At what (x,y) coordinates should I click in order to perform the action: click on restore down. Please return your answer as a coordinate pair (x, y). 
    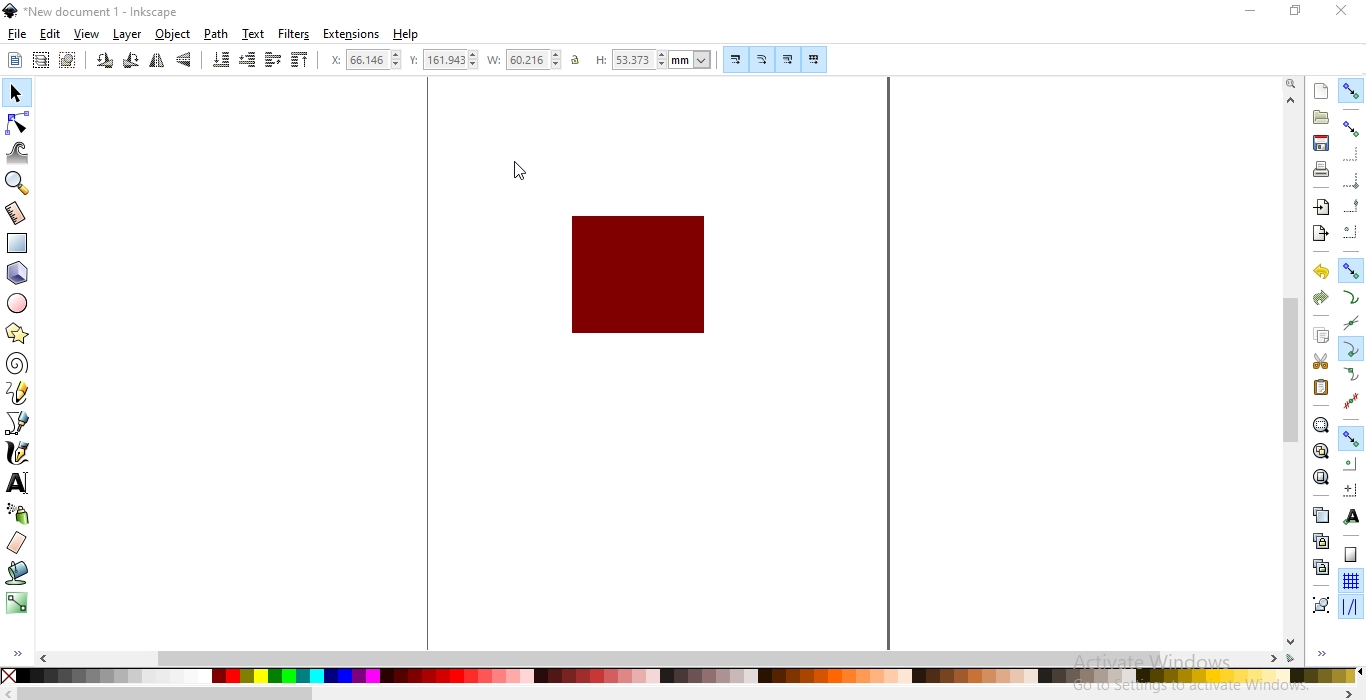
    Looking at the image, I should click on (1294, 9).